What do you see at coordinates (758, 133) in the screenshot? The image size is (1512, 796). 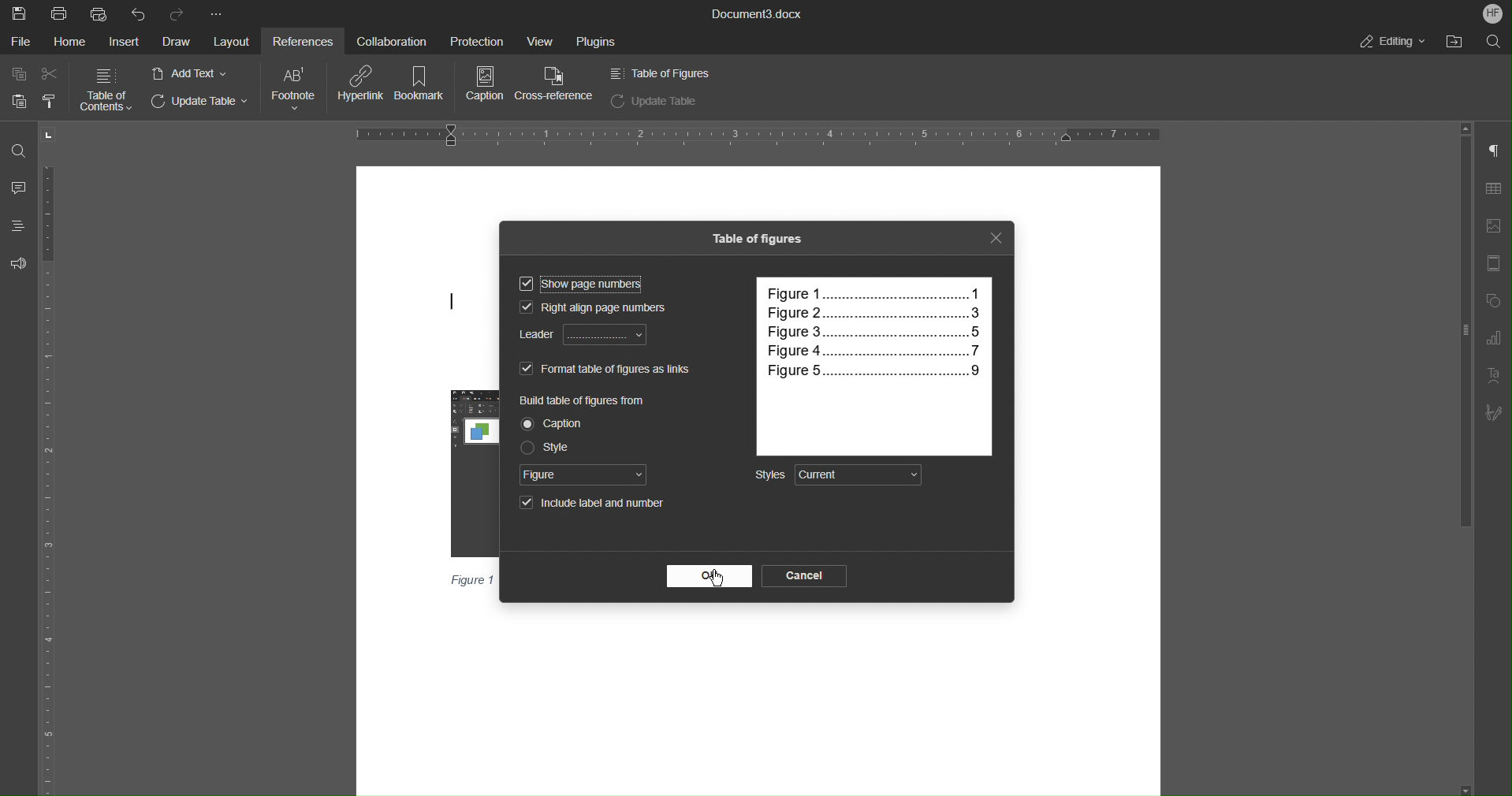 I see `Horizontal Ruler` at bounding box center [758, 133].